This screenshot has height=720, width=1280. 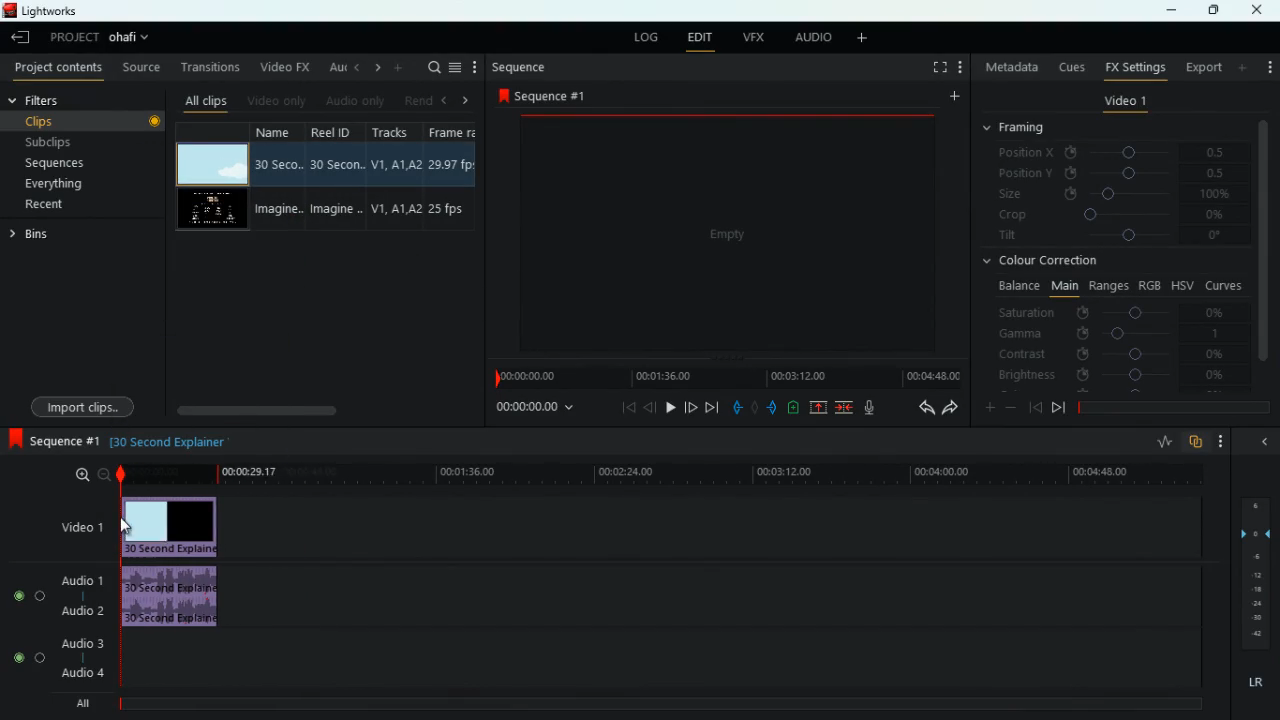 What do you see at coordinates (82, 407) in the screenshot?
I see `import clips` at bounding box center [82, 407].